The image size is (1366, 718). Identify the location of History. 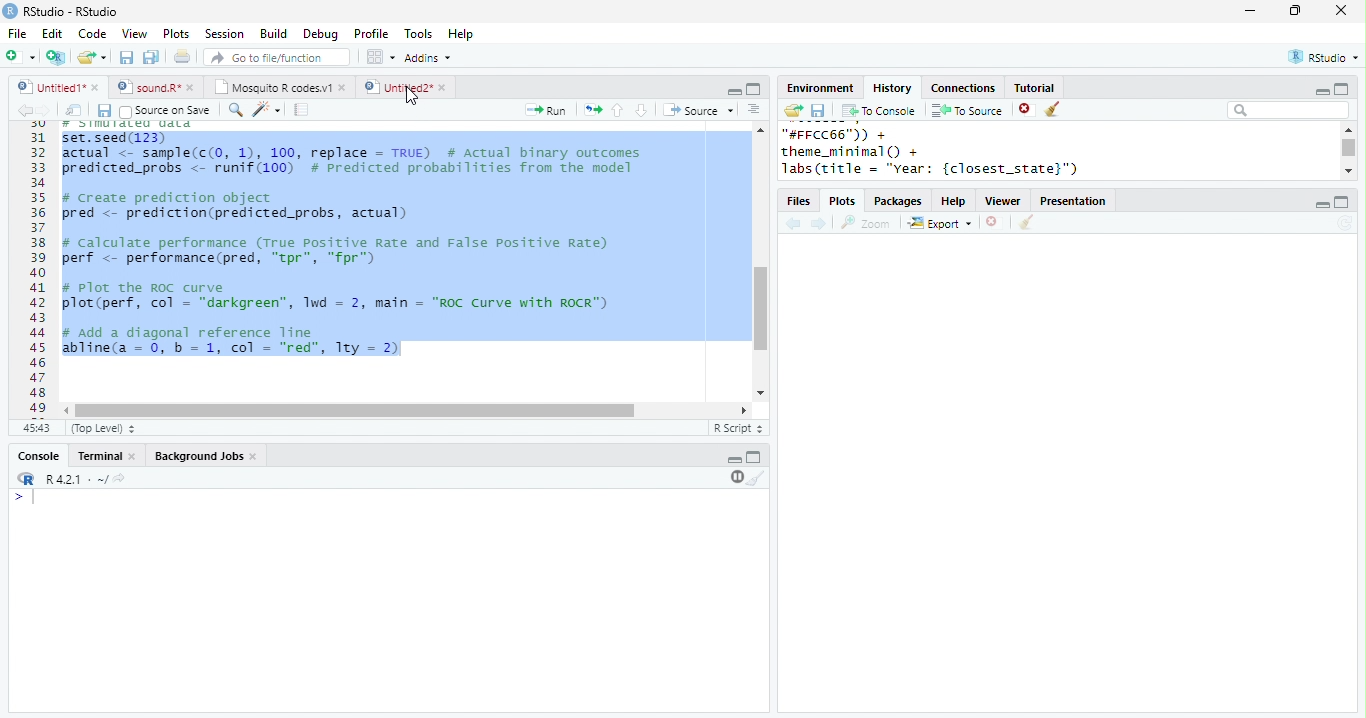
(892, 88).